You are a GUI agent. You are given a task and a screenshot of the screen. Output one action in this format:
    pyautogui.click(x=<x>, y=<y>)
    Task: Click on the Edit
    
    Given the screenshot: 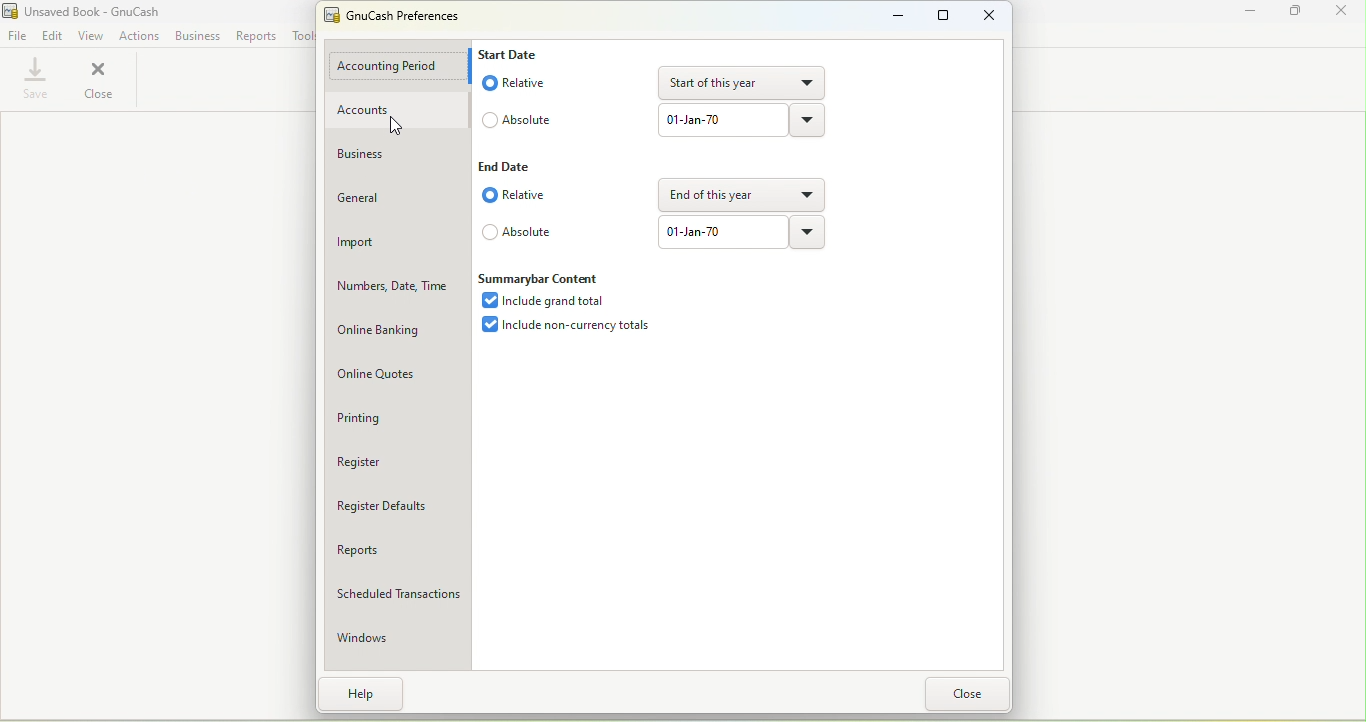 What is the action you would take?
    pyautogui.click(x=53, y=33)
    